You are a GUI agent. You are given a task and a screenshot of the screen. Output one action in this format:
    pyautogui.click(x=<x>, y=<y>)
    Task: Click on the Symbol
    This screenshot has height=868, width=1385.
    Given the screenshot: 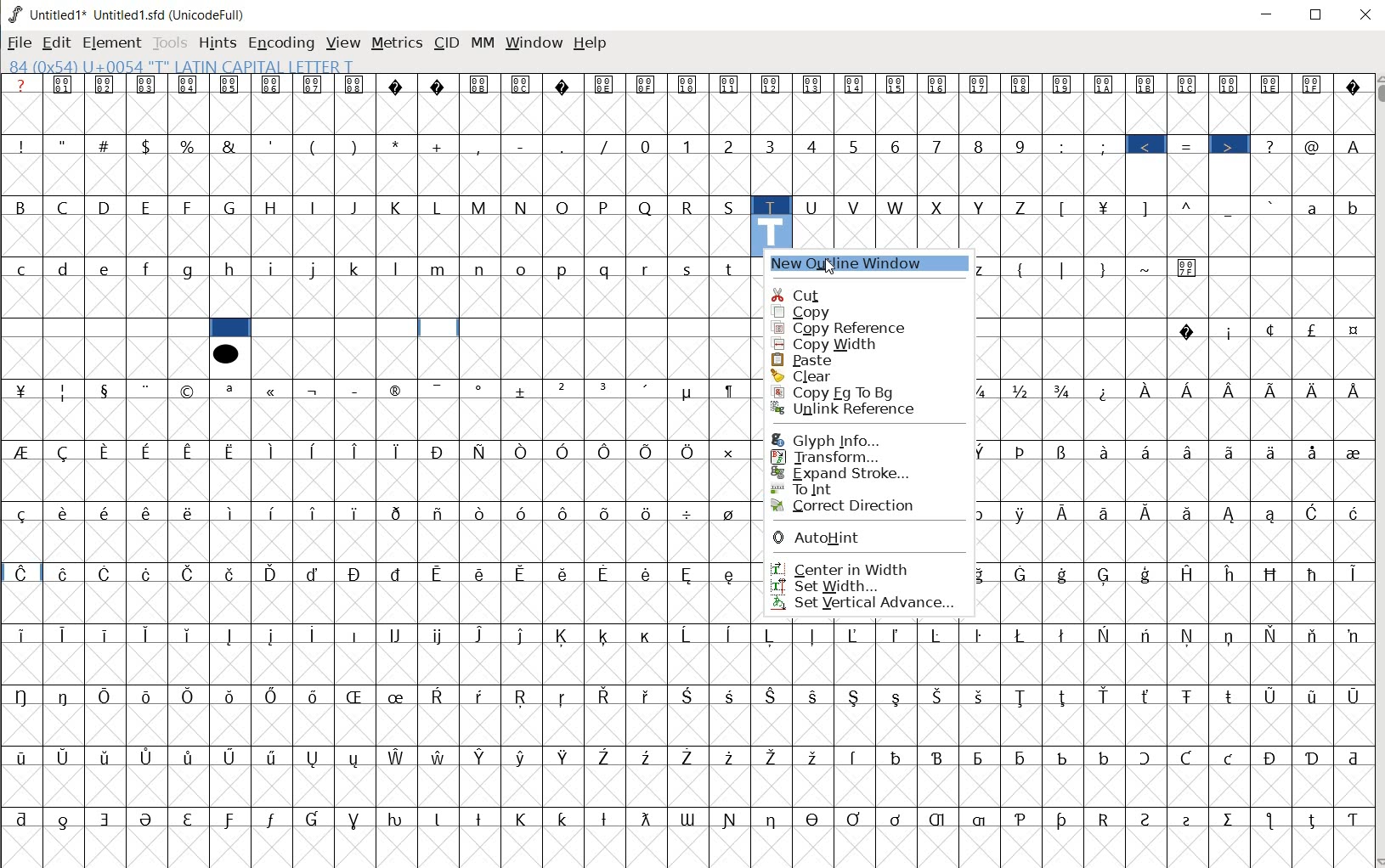 What is the action you would take?
    pyautogui.click(x=1025, y=574)
    